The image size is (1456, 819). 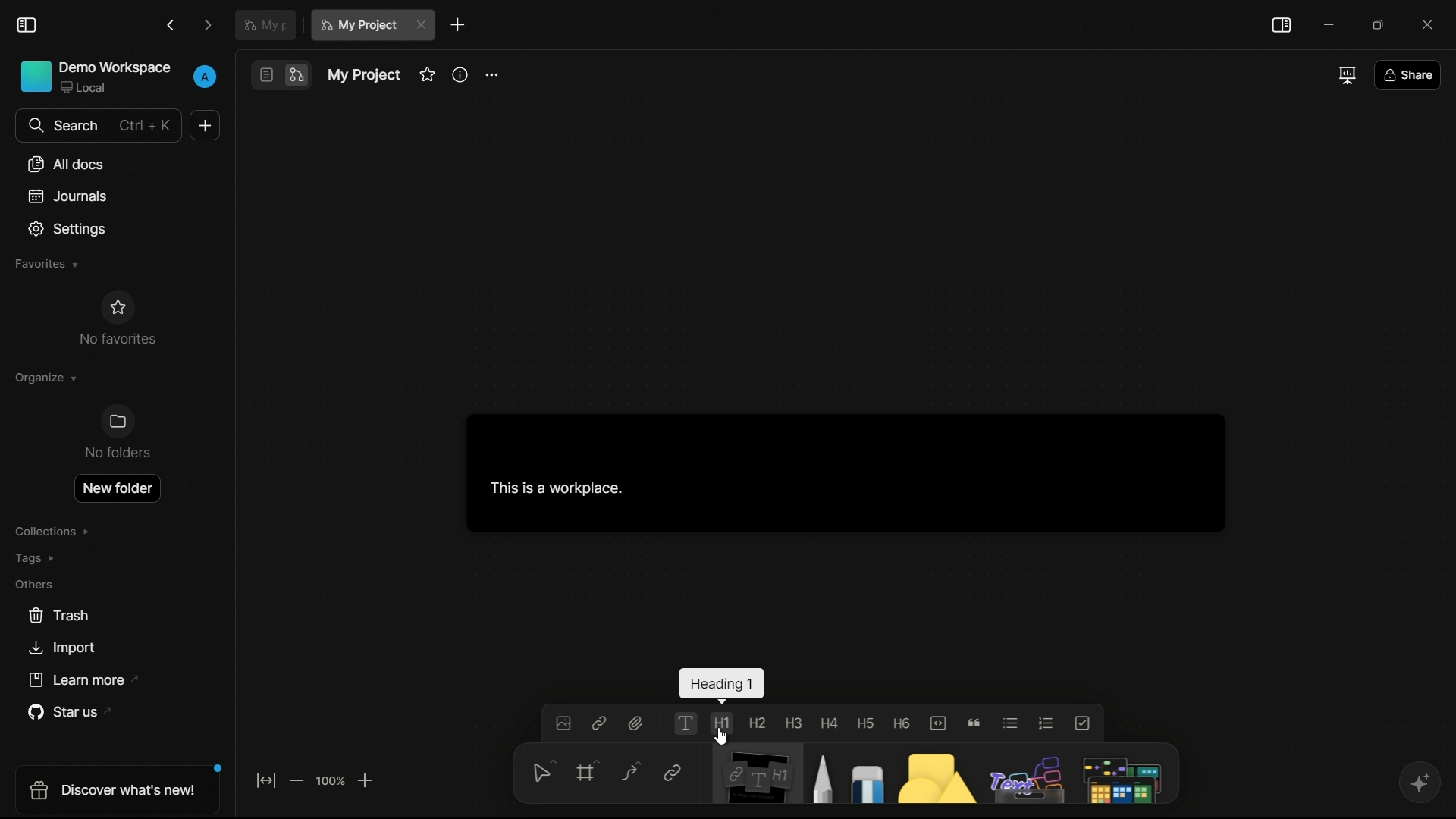 I want to click on This is a workspace, so click(x=838, y=473).